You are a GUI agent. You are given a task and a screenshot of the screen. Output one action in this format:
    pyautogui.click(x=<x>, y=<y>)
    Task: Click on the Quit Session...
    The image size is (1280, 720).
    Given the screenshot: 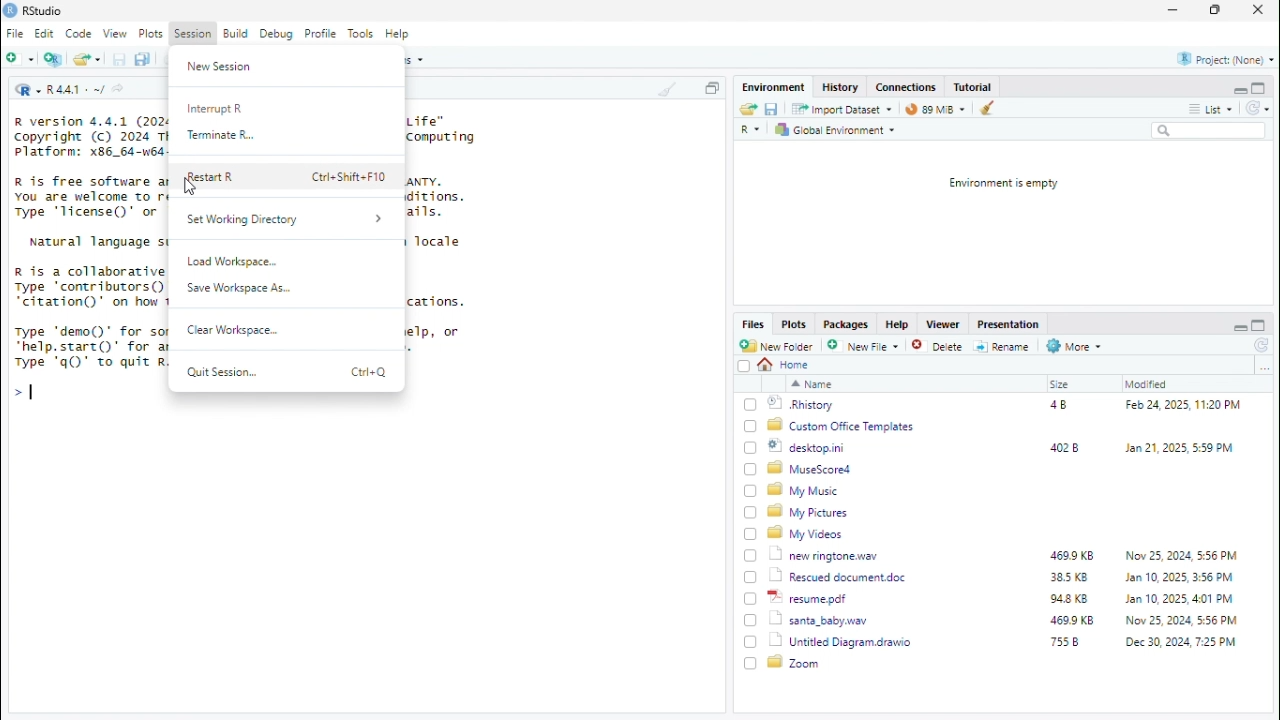 What is the action you would take?
    pyautogui.click(x=220, y=371)
    